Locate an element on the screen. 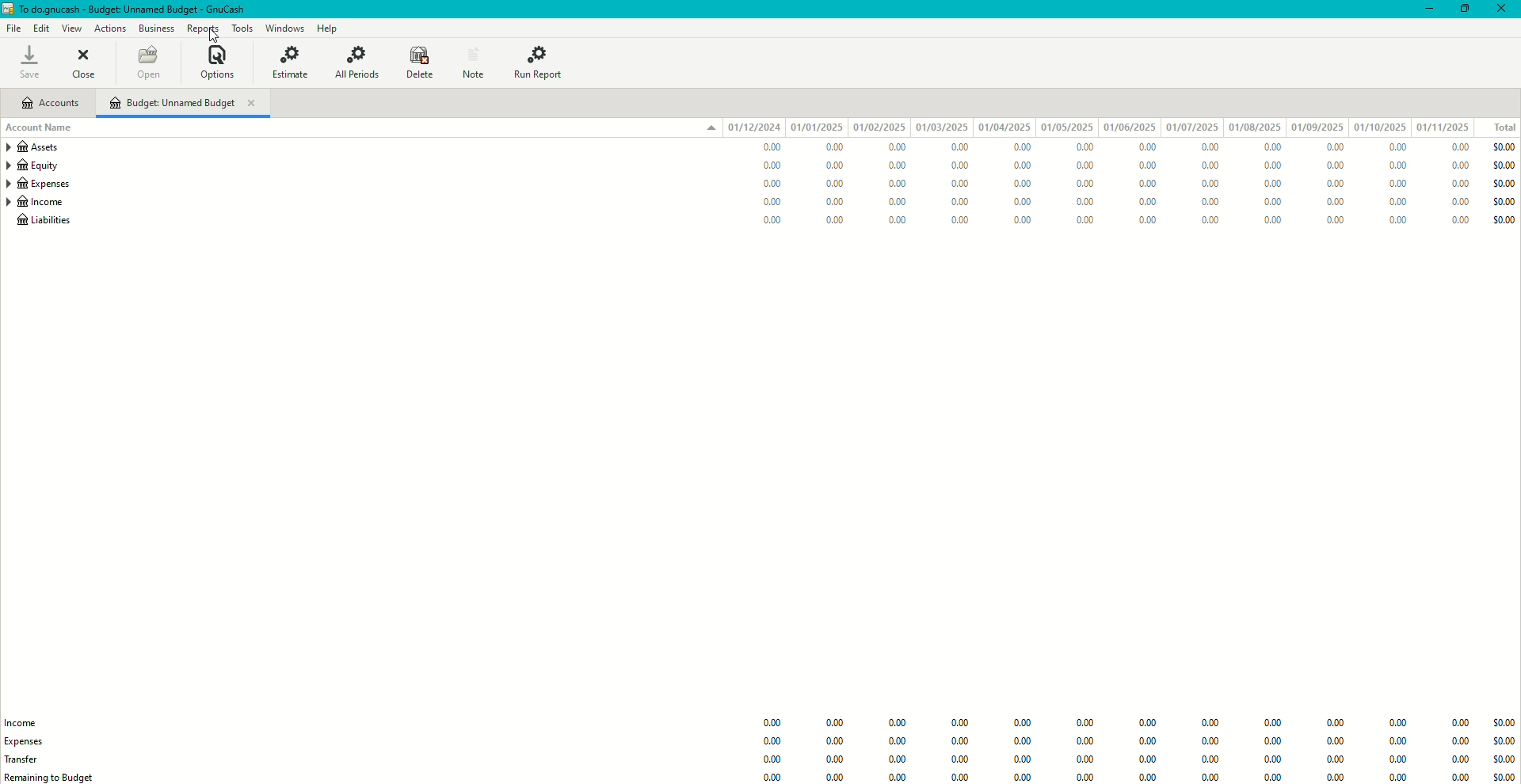 Image resolution: width=1521 pixels, height=784 pixels. 01/04/2025 is located at coordinates (1004, 127).